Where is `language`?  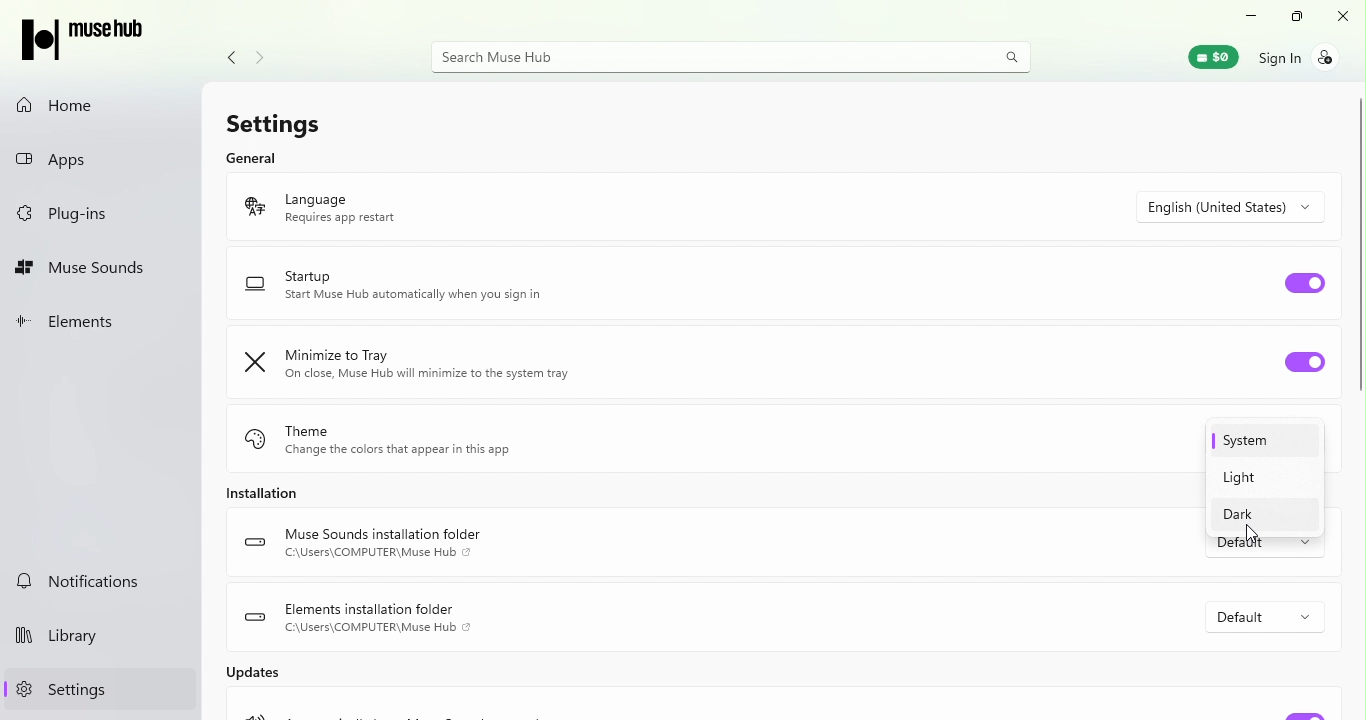
language is located at coordinates (376, 208).